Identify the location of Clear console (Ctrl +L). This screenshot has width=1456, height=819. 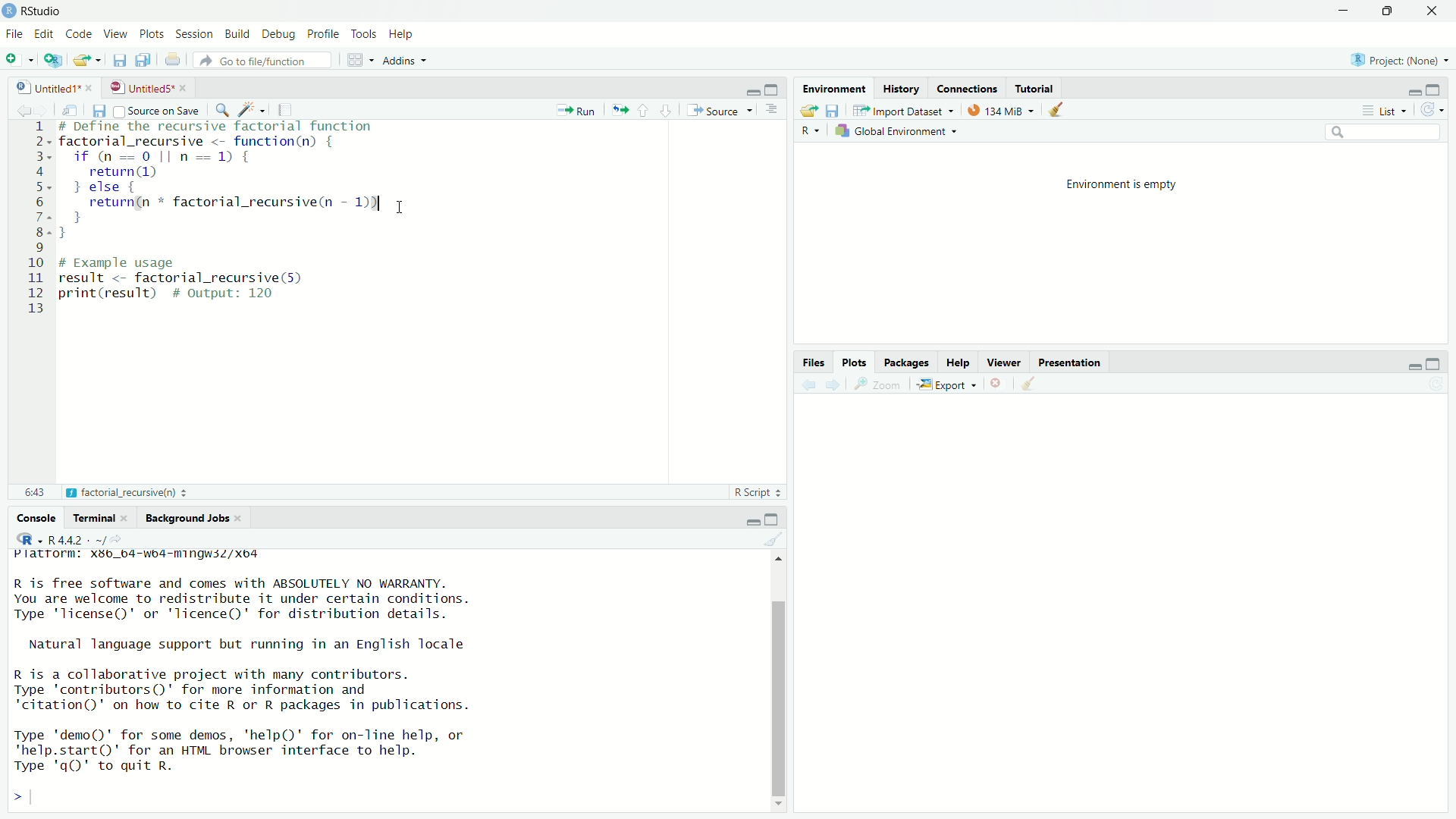
(1061, 108).